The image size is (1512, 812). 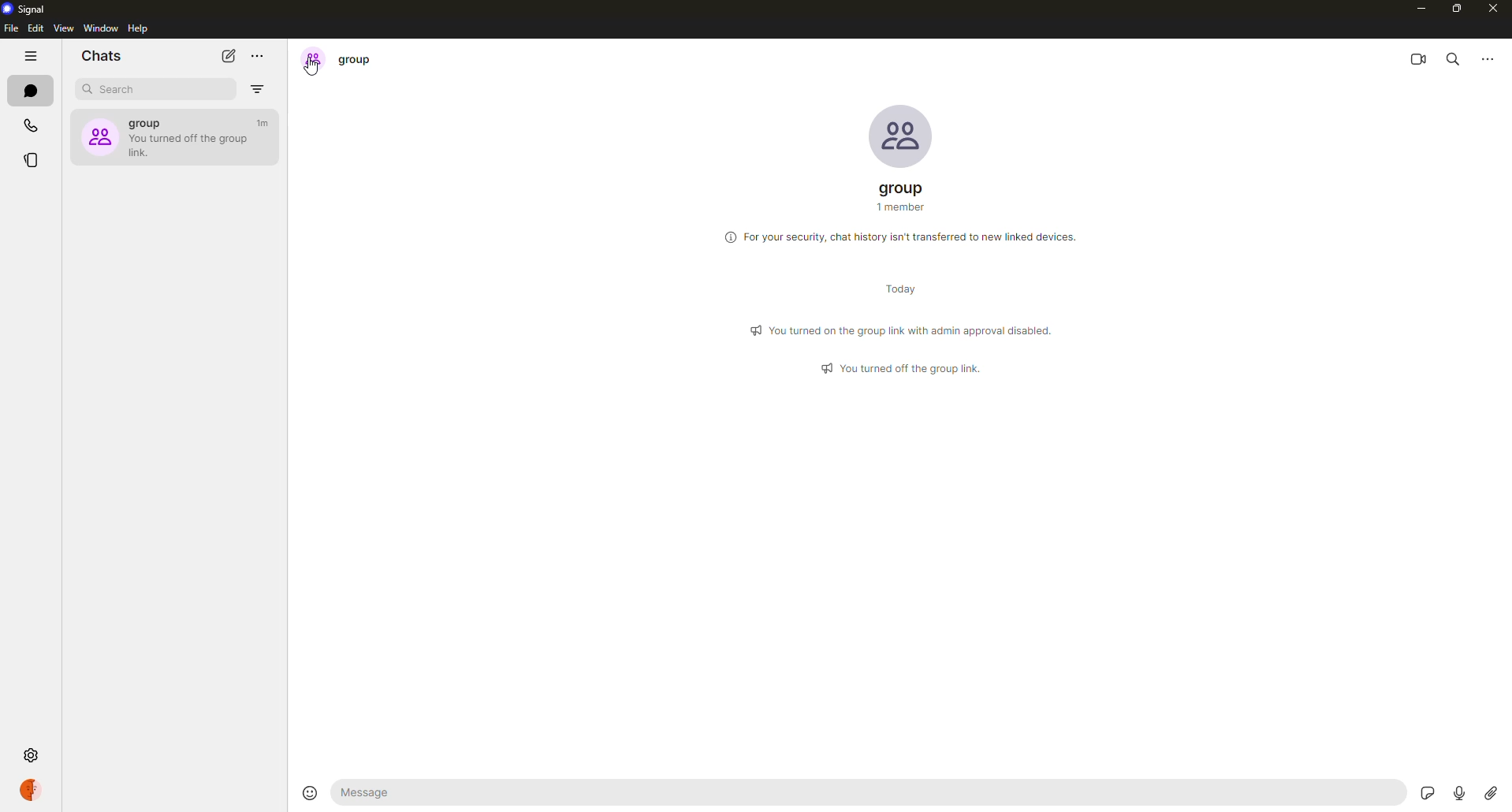 I want to click on view, so click(x=64, y=29).